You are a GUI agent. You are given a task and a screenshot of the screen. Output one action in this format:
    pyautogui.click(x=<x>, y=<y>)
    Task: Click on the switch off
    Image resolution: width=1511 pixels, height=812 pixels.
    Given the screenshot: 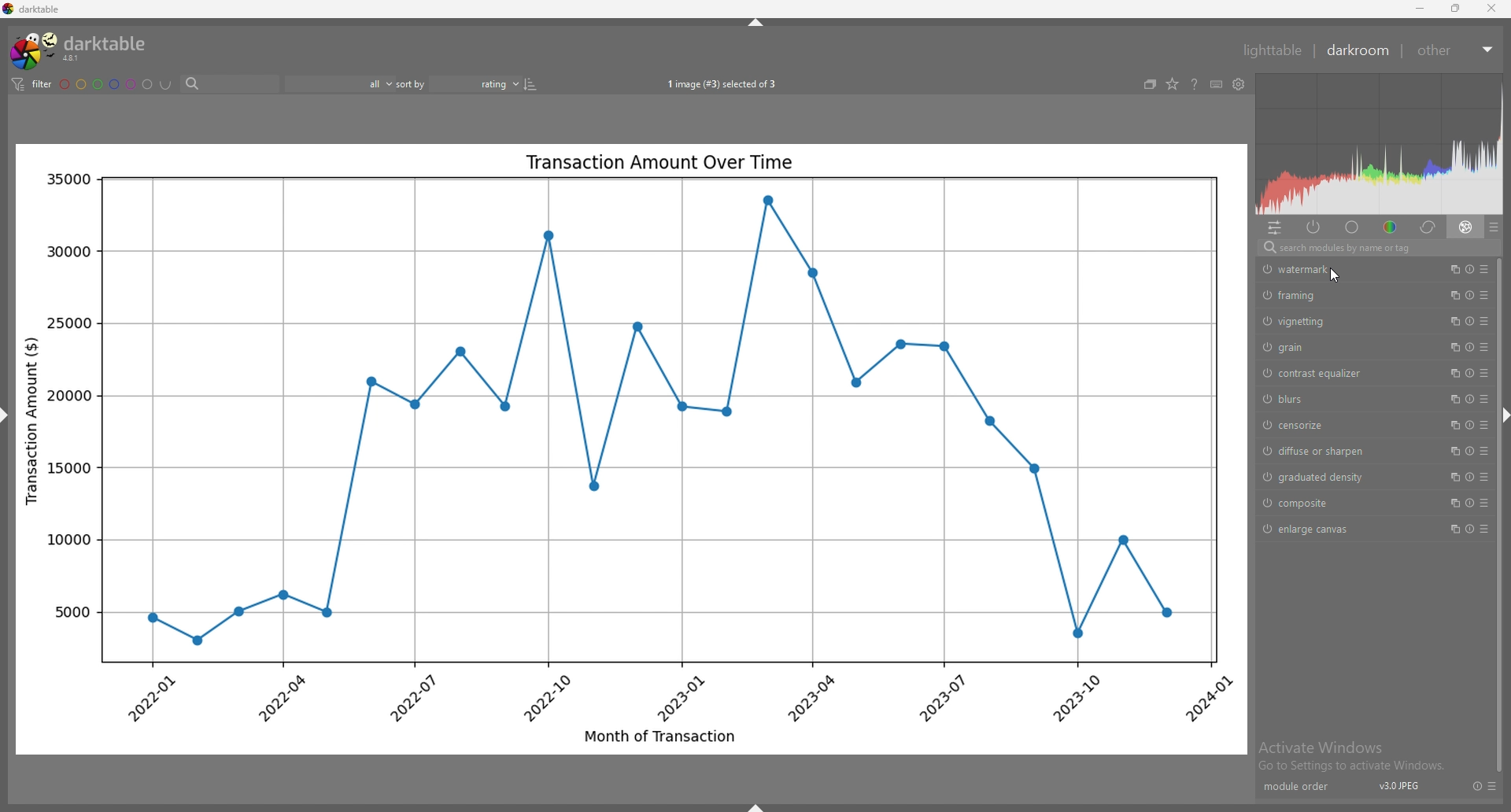 What is the action you would take?
    pyautogui.click(x=1268, y=373)
    